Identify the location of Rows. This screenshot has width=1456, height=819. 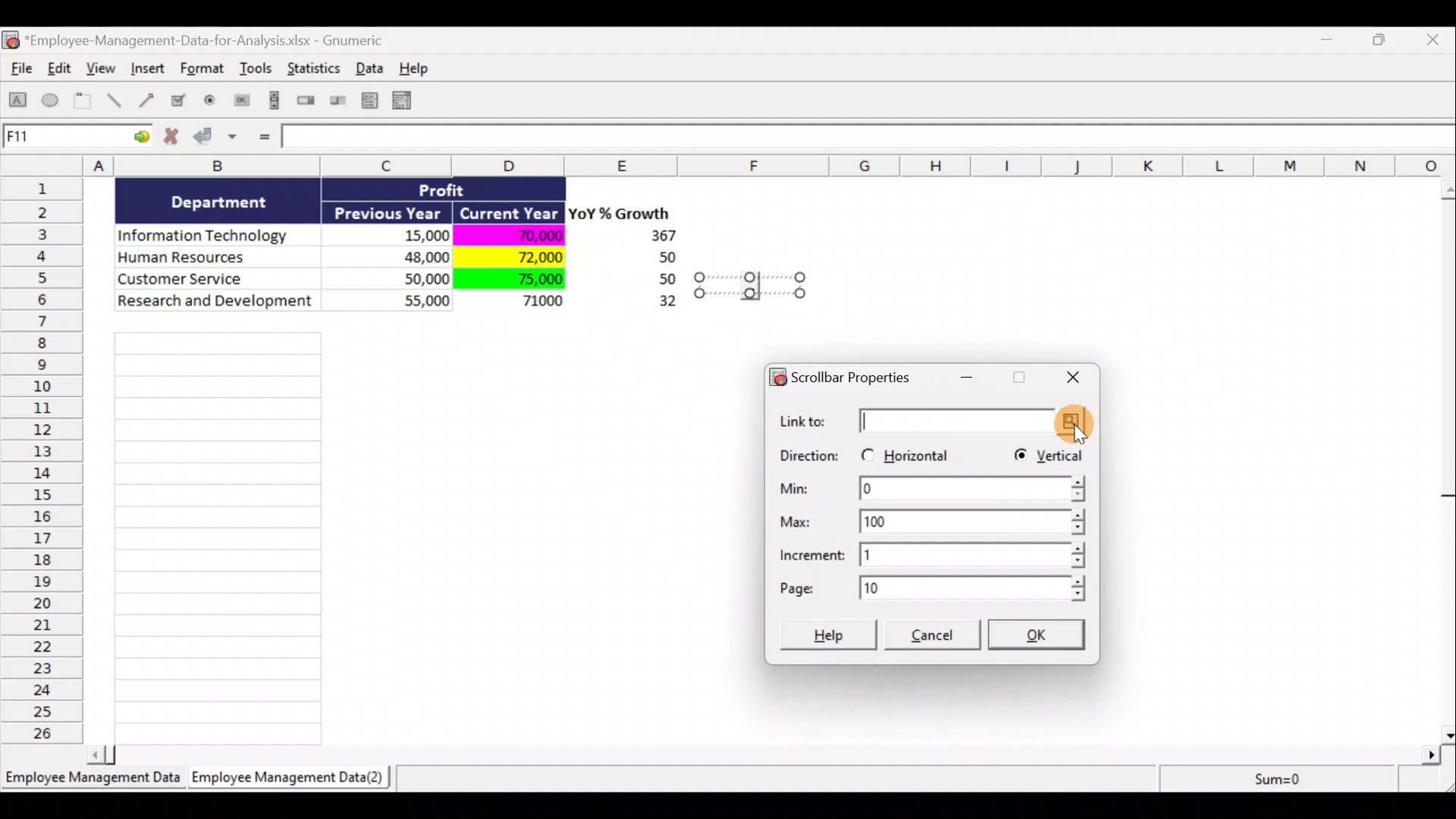
(46, 459).